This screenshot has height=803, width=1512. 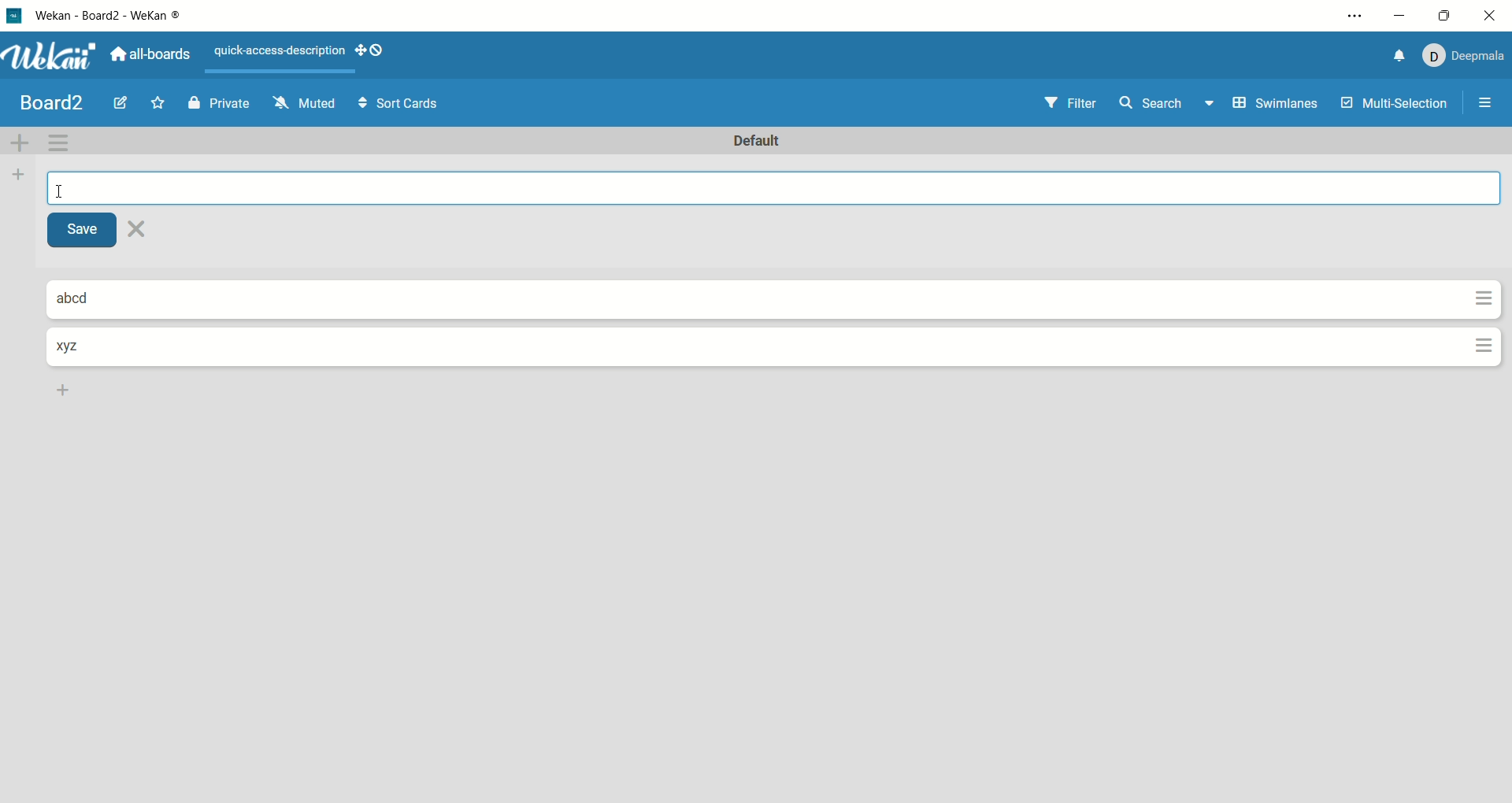 I want to click on close, so click(x=140, y=230).